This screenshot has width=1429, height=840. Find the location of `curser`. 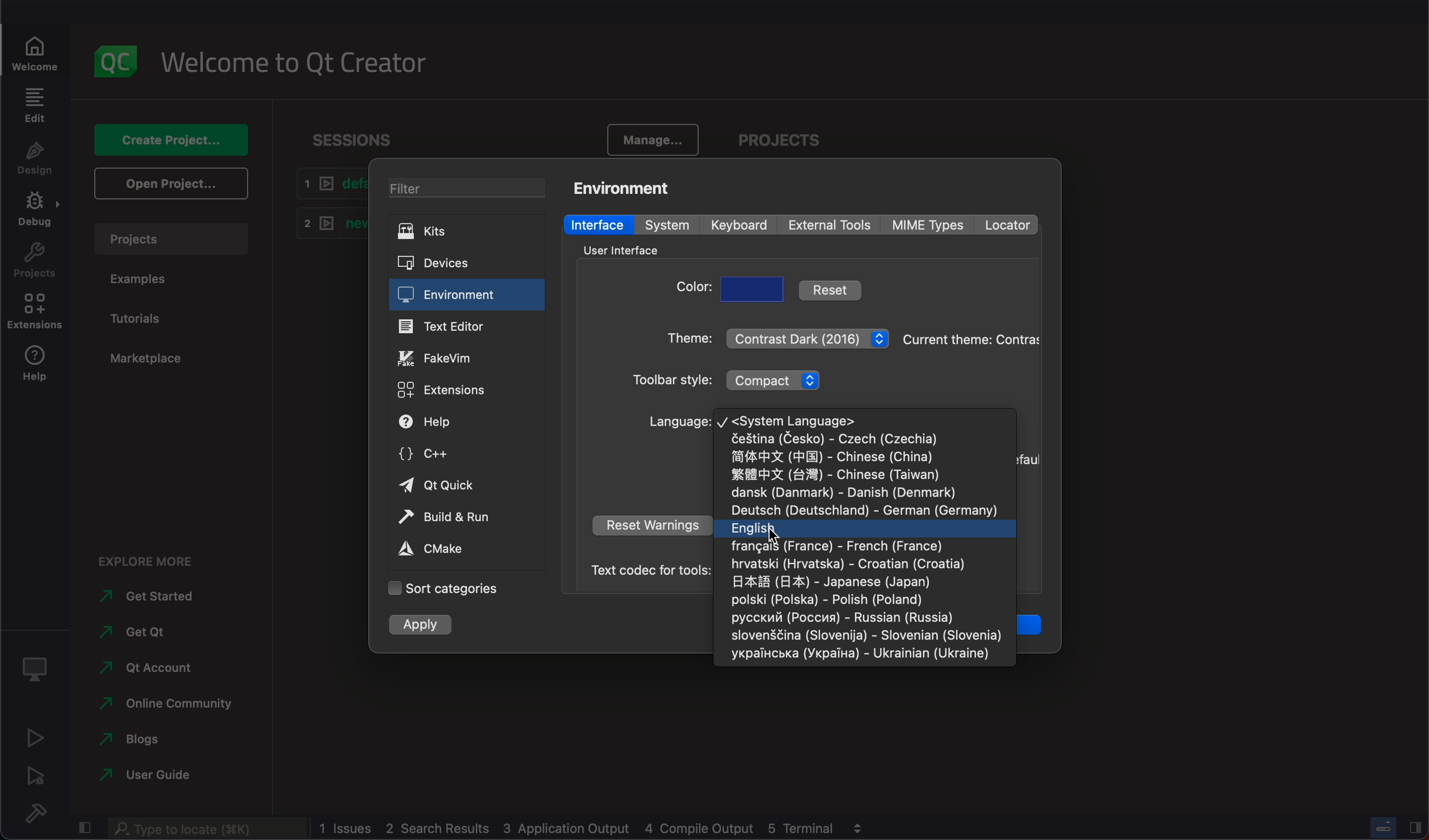

curser is located at coordinates (773, 534).